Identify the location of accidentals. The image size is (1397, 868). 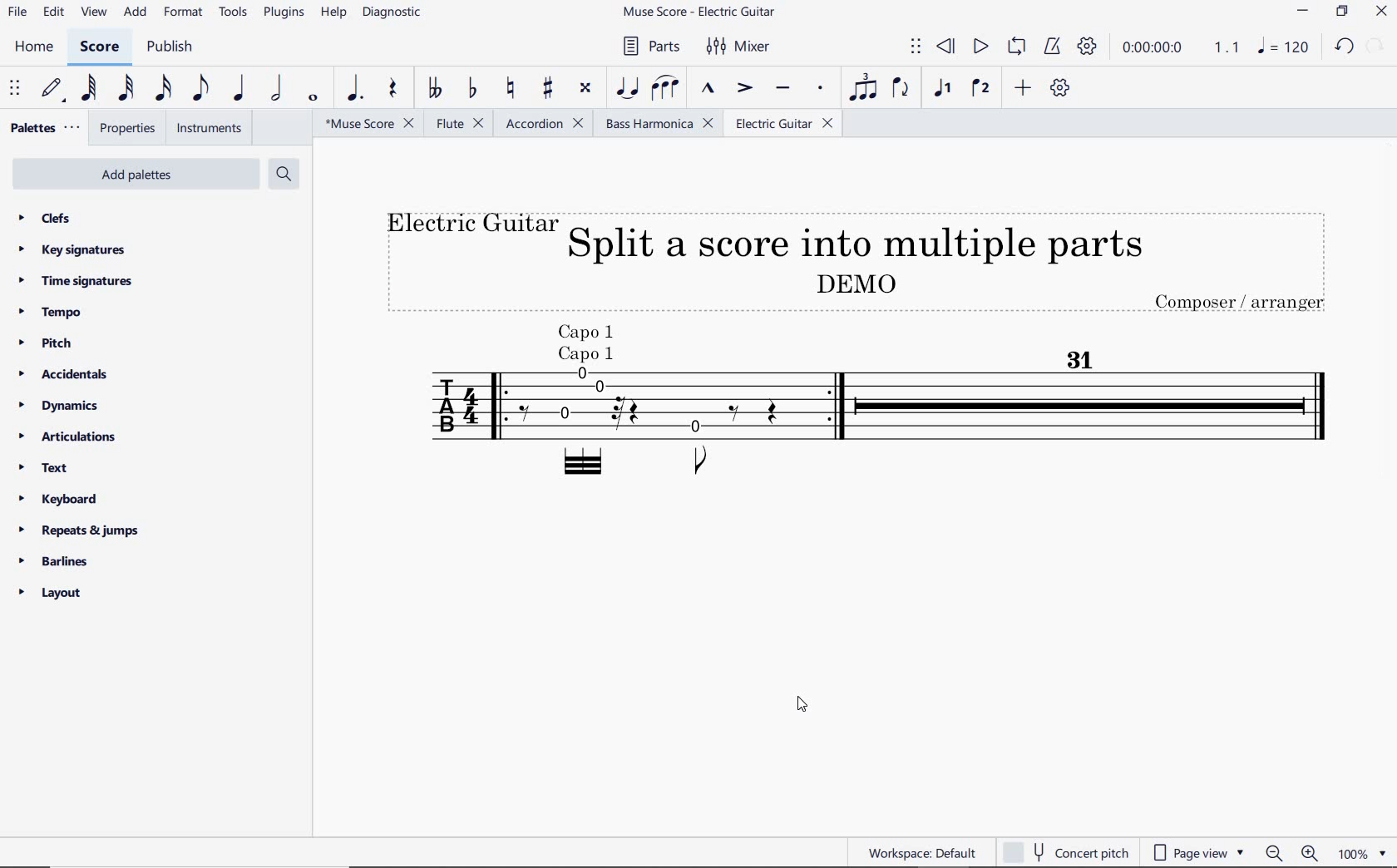
(65, 376).